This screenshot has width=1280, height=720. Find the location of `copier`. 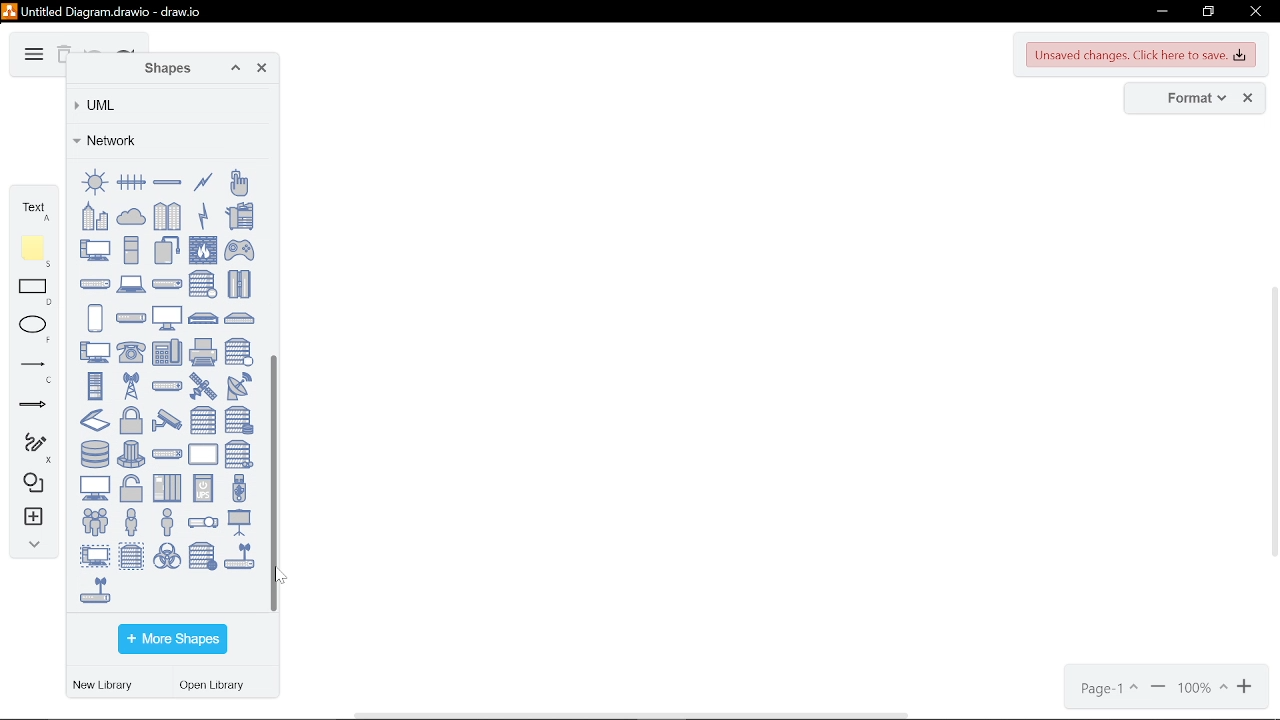

copier is located at coordinates (239, 215).